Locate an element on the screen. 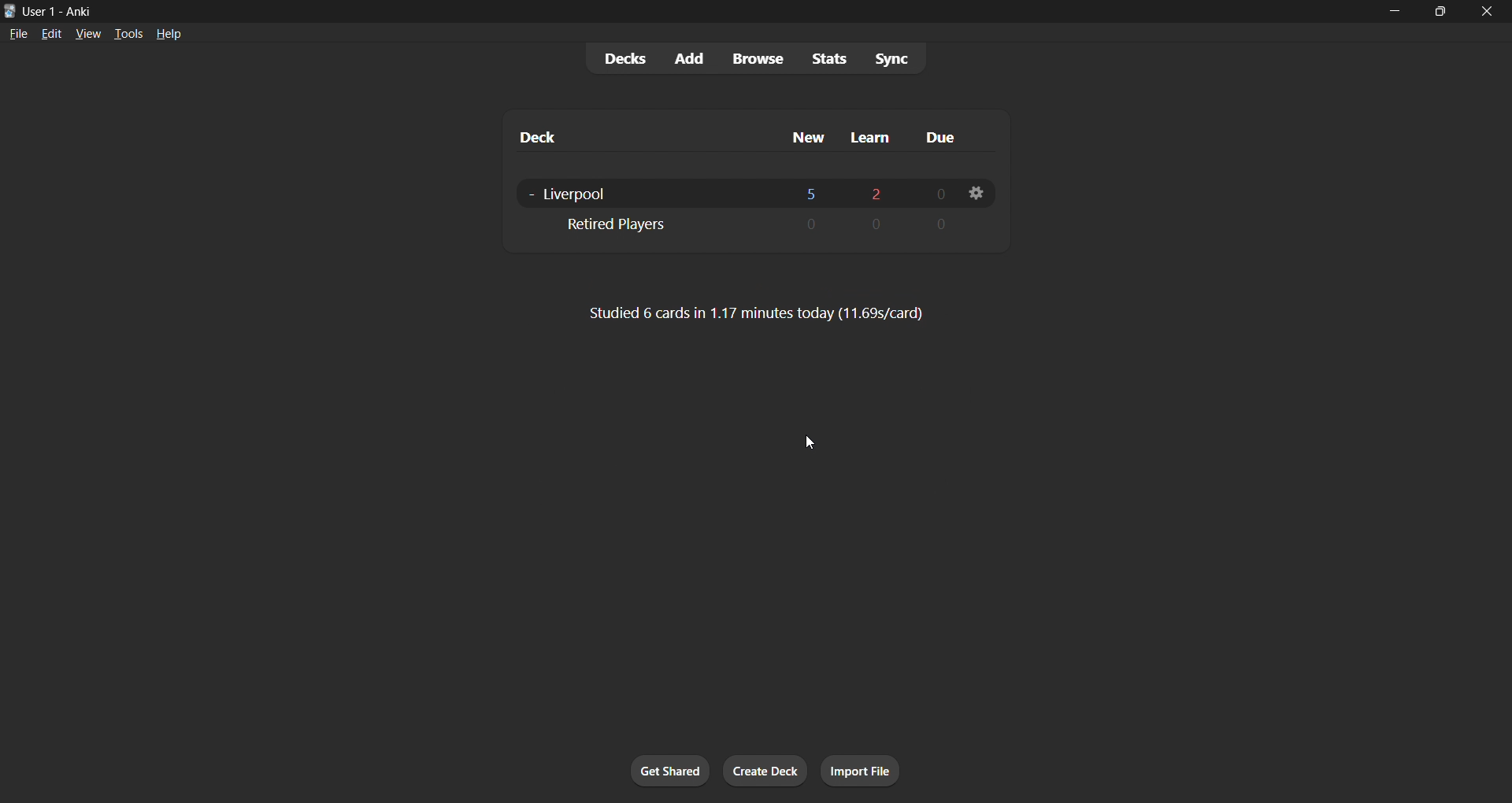 This screenshot has width=1512, height=803. stats is located at coordinates (832, 57).